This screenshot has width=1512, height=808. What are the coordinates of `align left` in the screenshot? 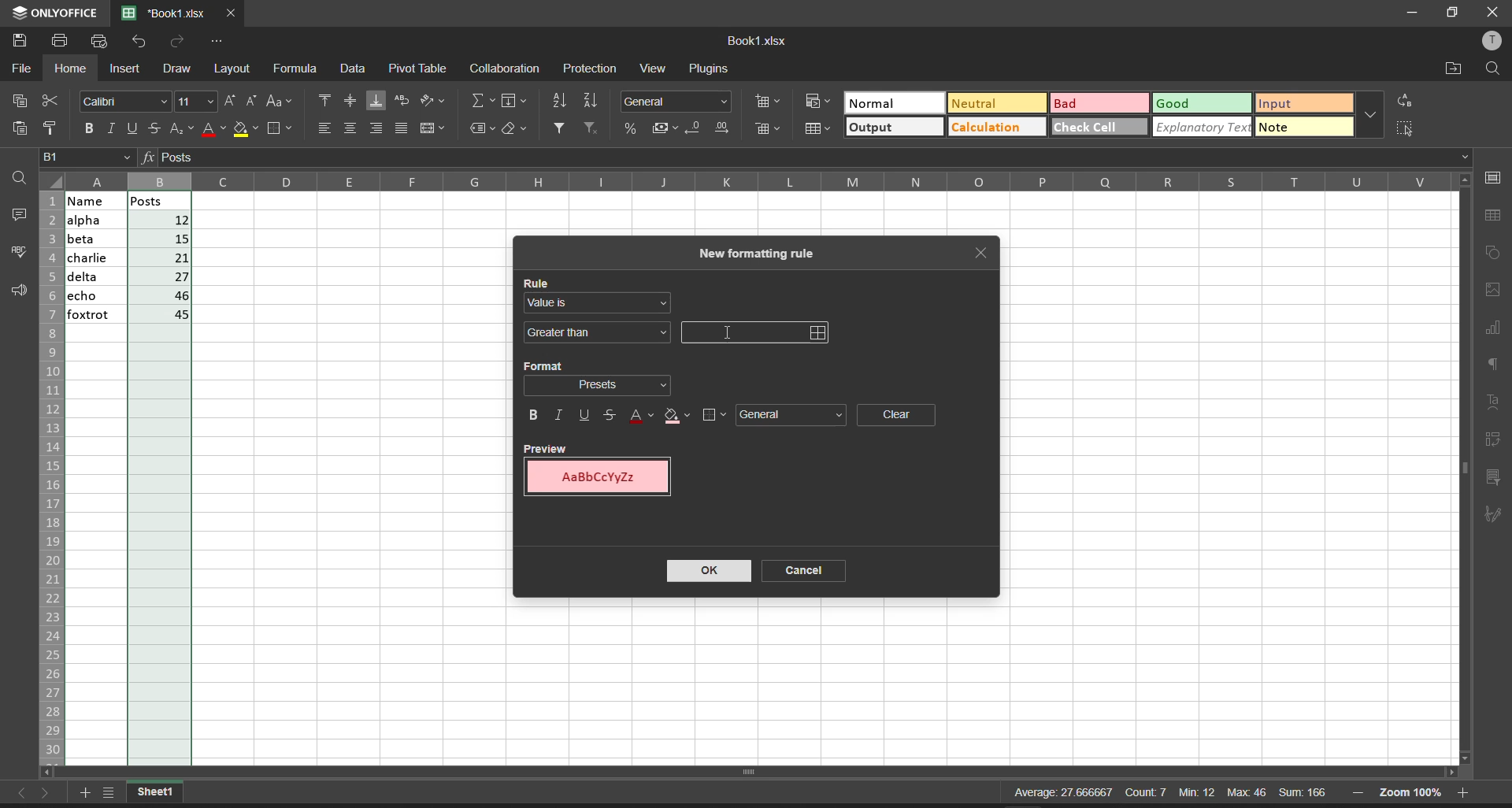 It's located at (322, 127).